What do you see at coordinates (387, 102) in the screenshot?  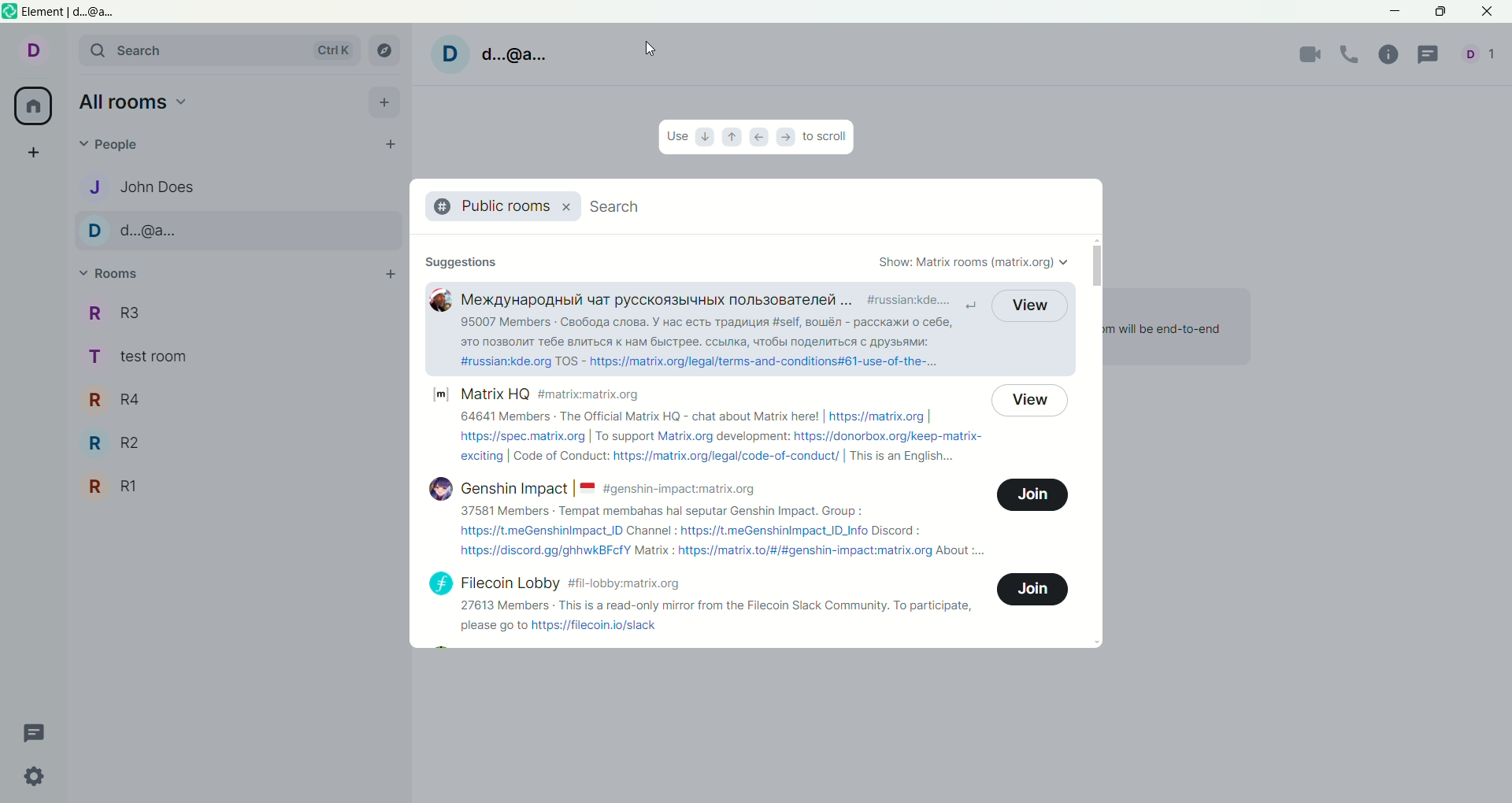 I see `add` at bounding box center [387, 102].